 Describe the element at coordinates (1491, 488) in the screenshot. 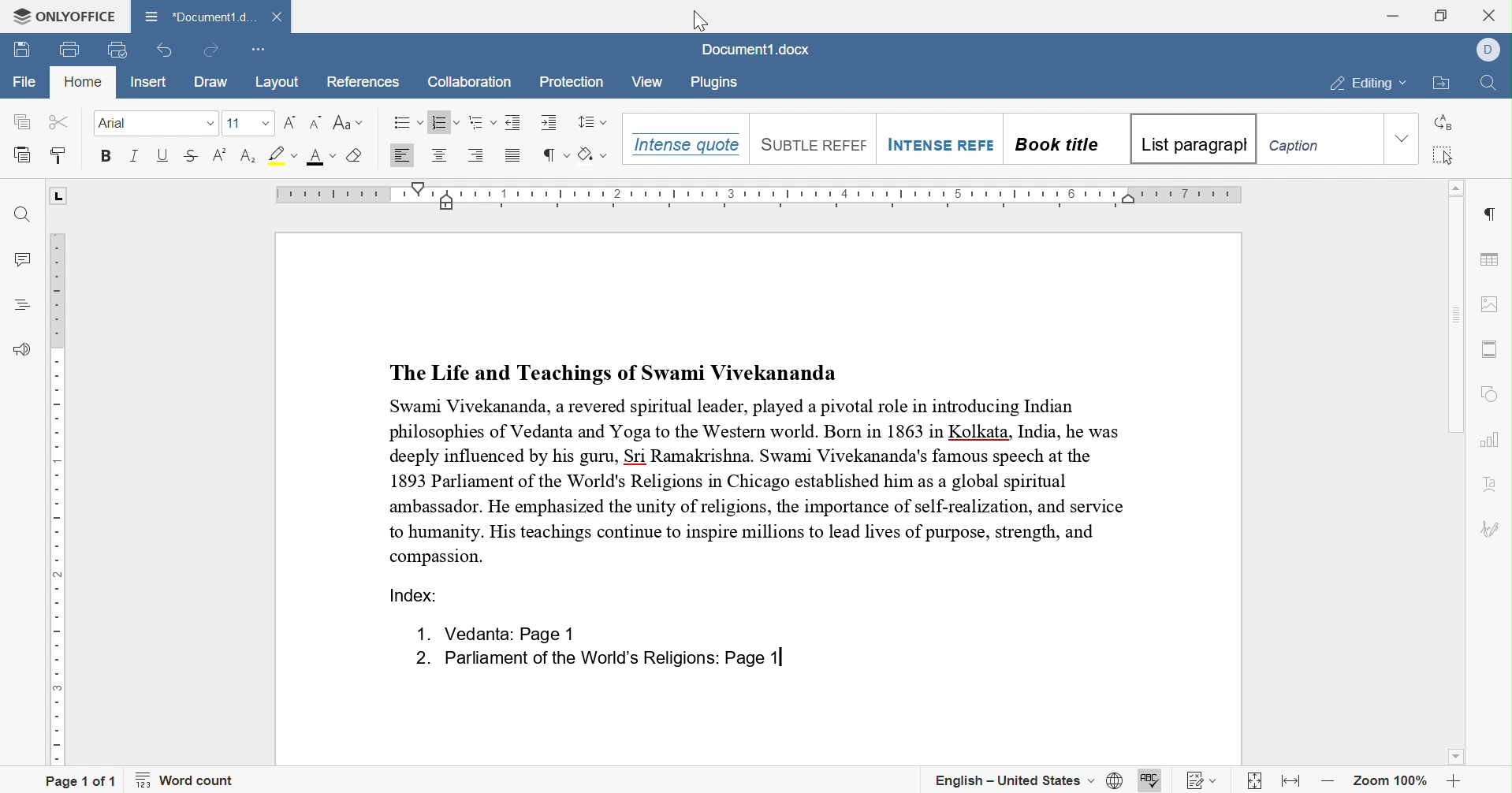

I see `text art settings` at that location.